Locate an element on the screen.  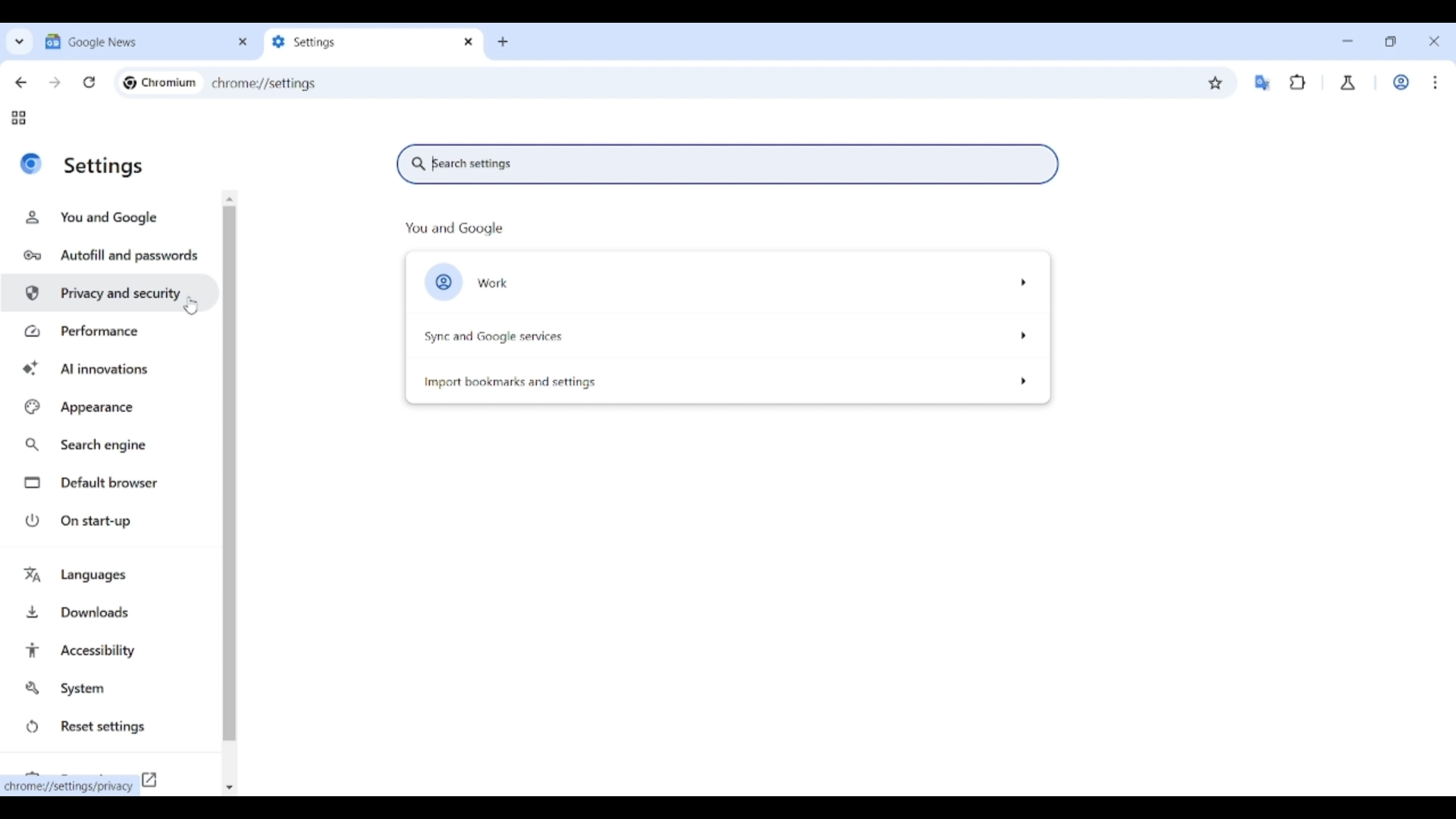
AI innovations is located at coordinates (111, 367).